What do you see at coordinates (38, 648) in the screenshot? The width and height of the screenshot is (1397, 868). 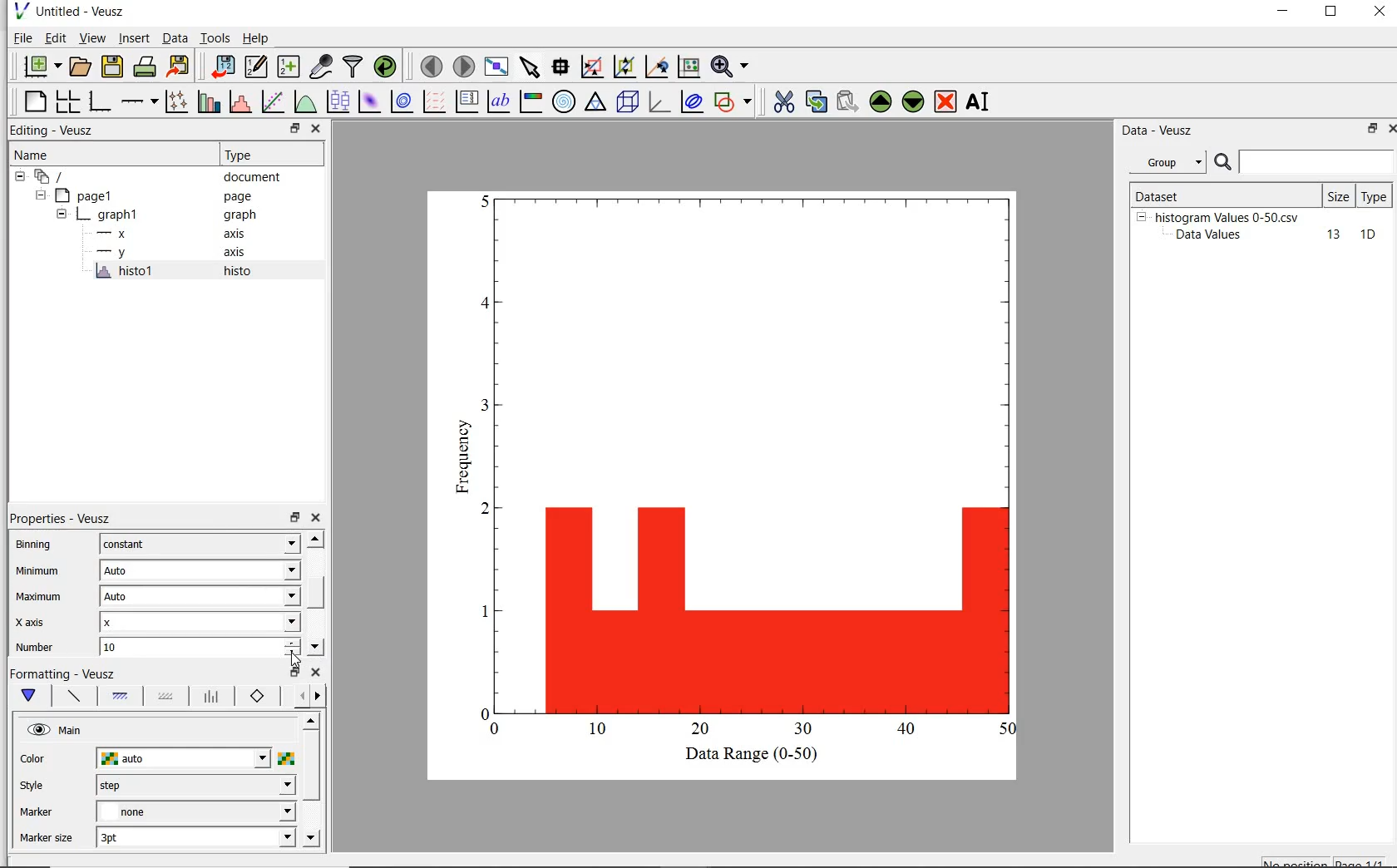 I see `Number` at bounding box center [38, 648].